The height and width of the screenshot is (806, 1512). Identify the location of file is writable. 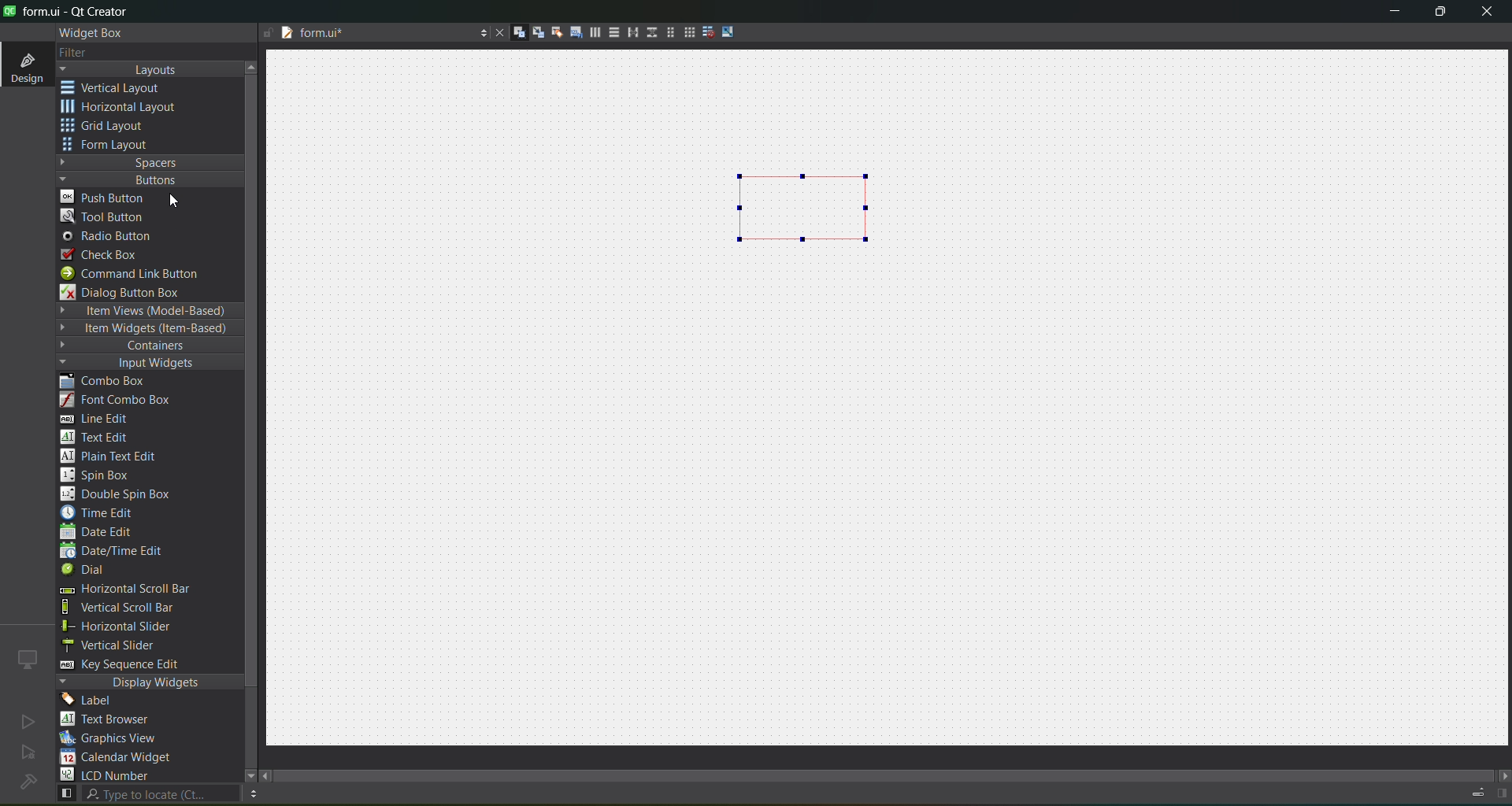
(268, 34).